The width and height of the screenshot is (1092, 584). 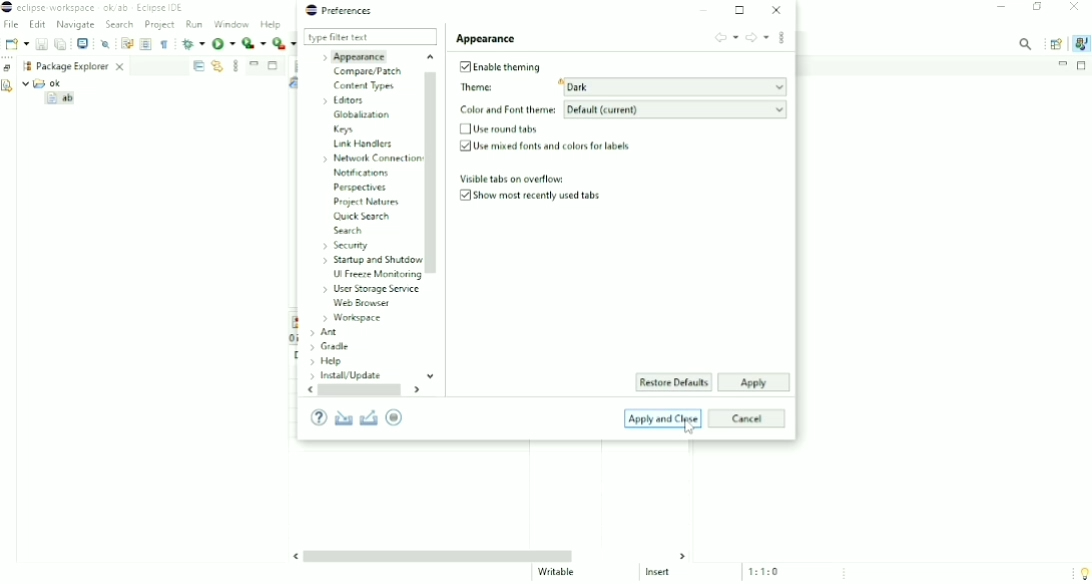 What do you see at coordinates (8, 88) in the screenshot?
I see `Declaration` at bounding box center [8, 88].